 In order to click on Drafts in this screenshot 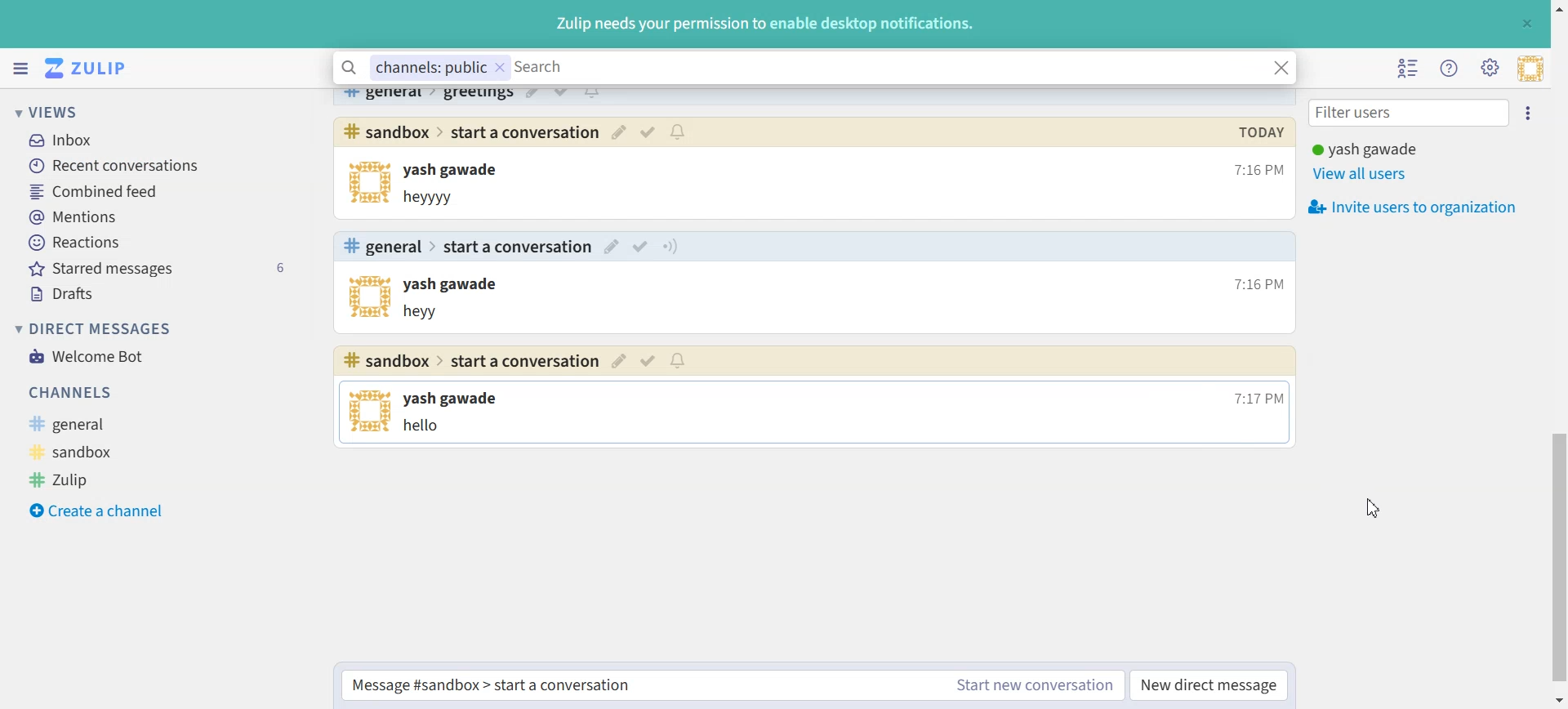, I will do `click(162, 292)`.